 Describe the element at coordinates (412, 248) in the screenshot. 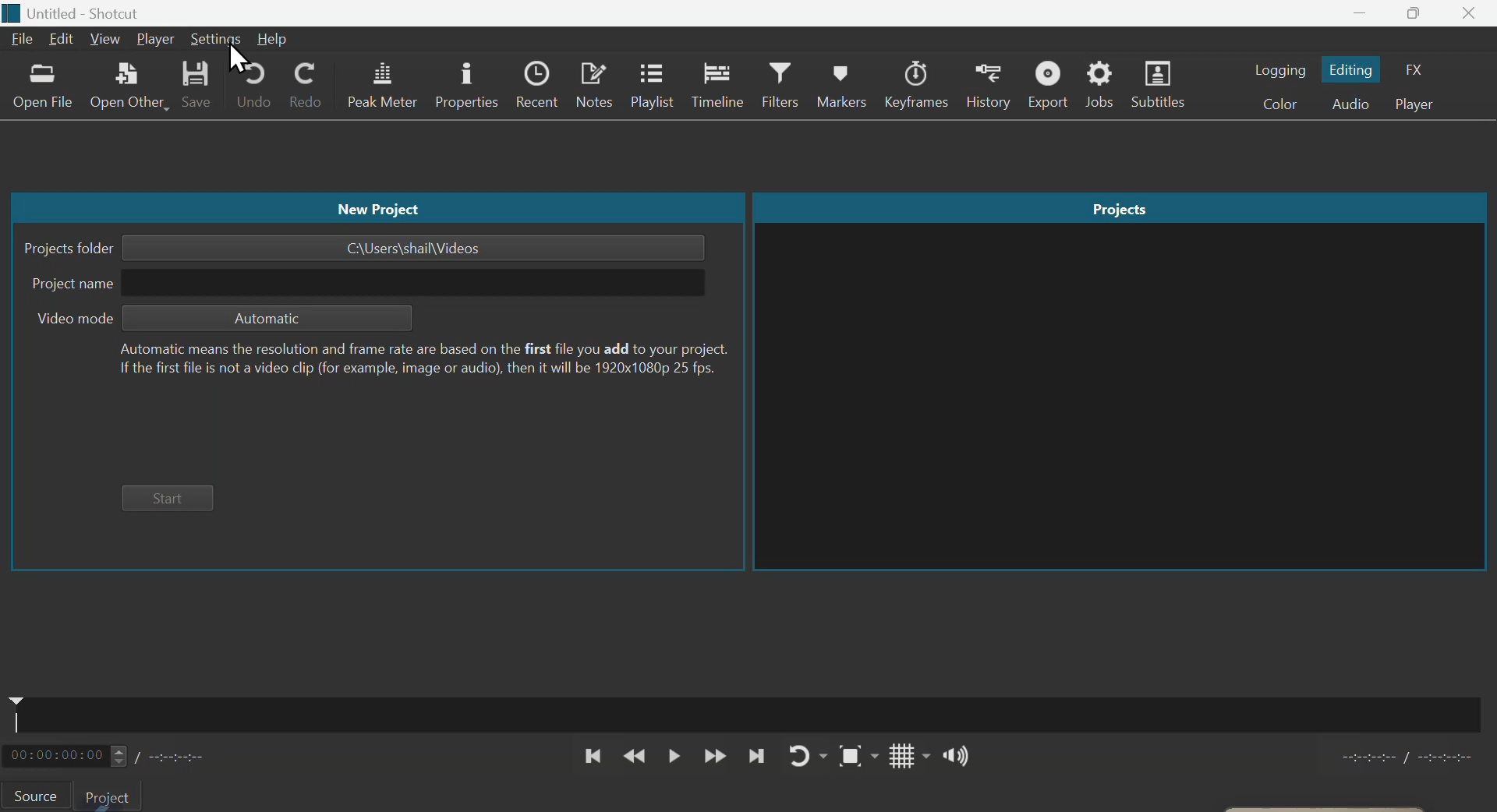

I see `C:\Users\shail\Videos` at that location.